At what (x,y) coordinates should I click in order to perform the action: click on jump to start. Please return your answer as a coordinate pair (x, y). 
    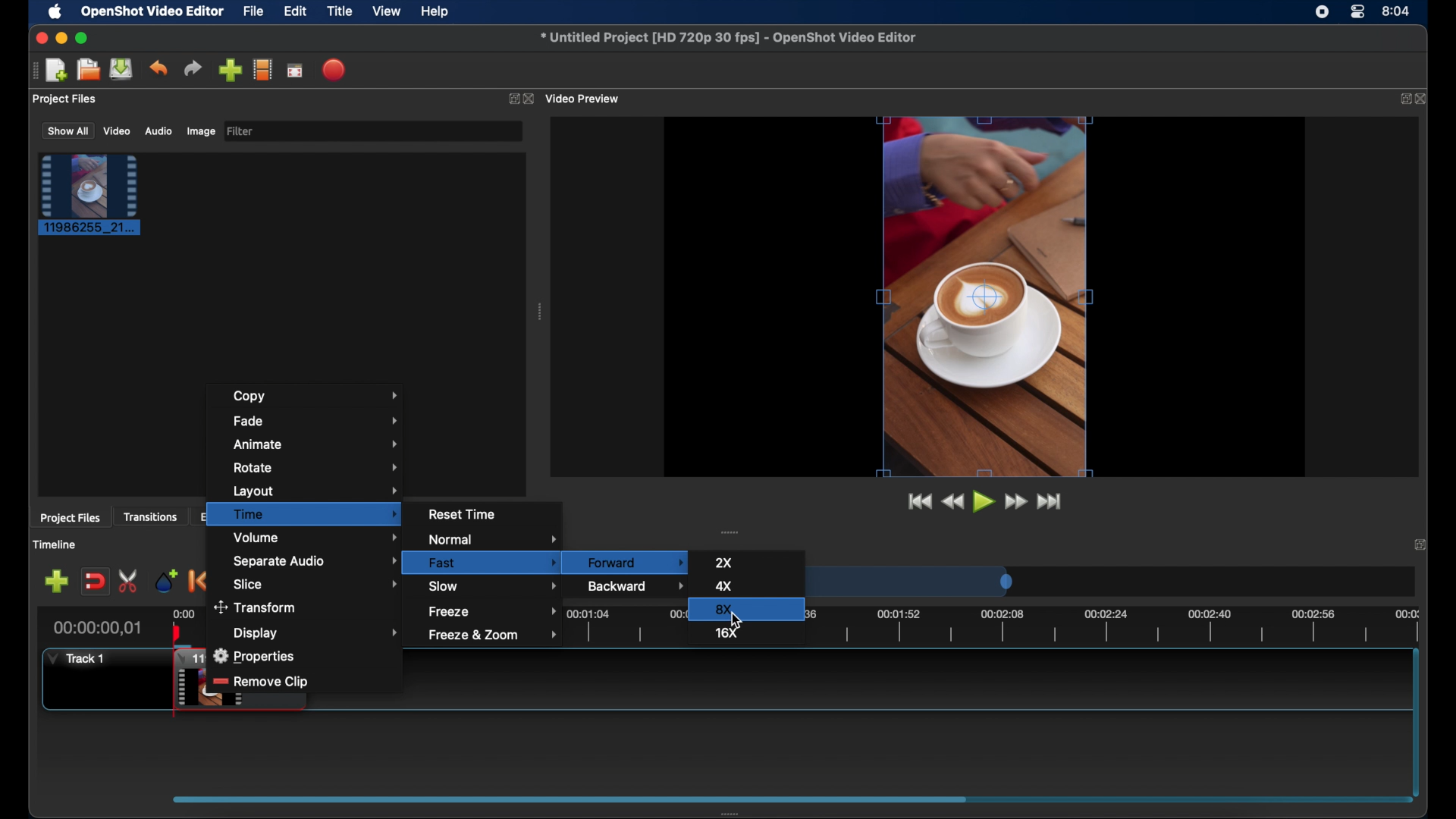
    Looking at the image, I should click on (919, 501).